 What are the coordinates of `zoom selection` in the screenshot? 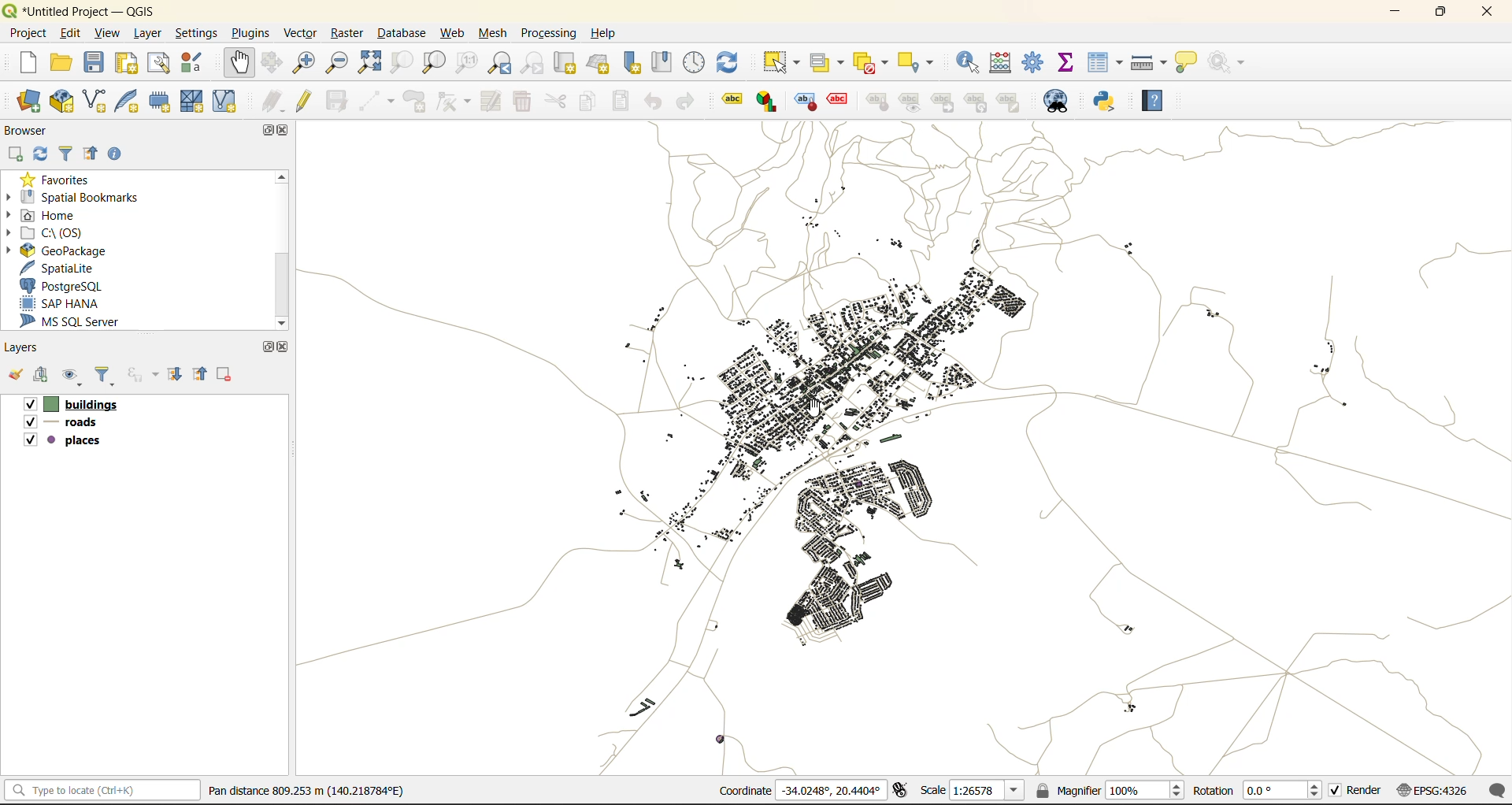 It's located at (406, 65).